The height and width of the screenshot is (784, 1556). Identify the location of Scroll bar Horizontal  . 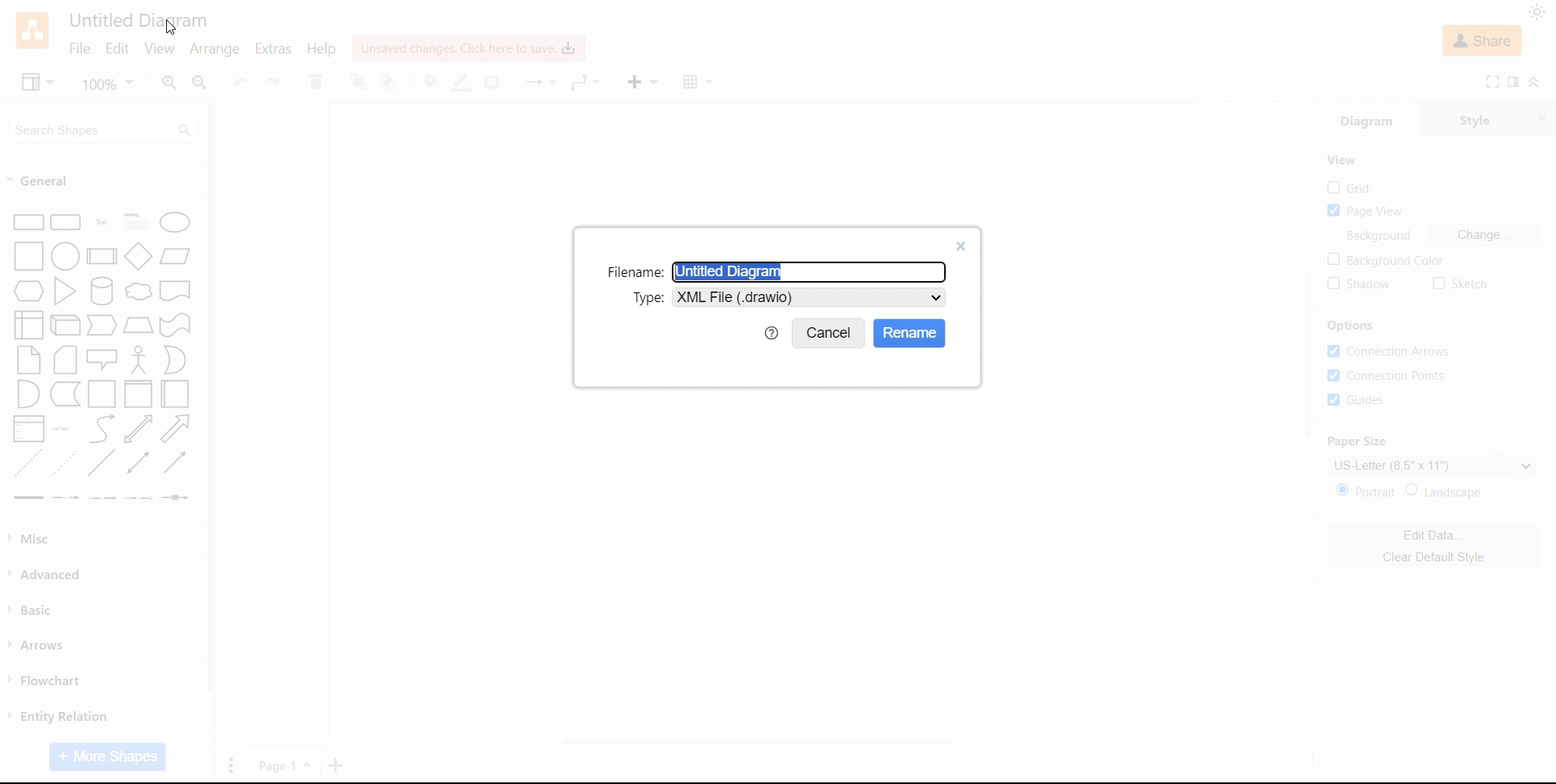
(755, 744).